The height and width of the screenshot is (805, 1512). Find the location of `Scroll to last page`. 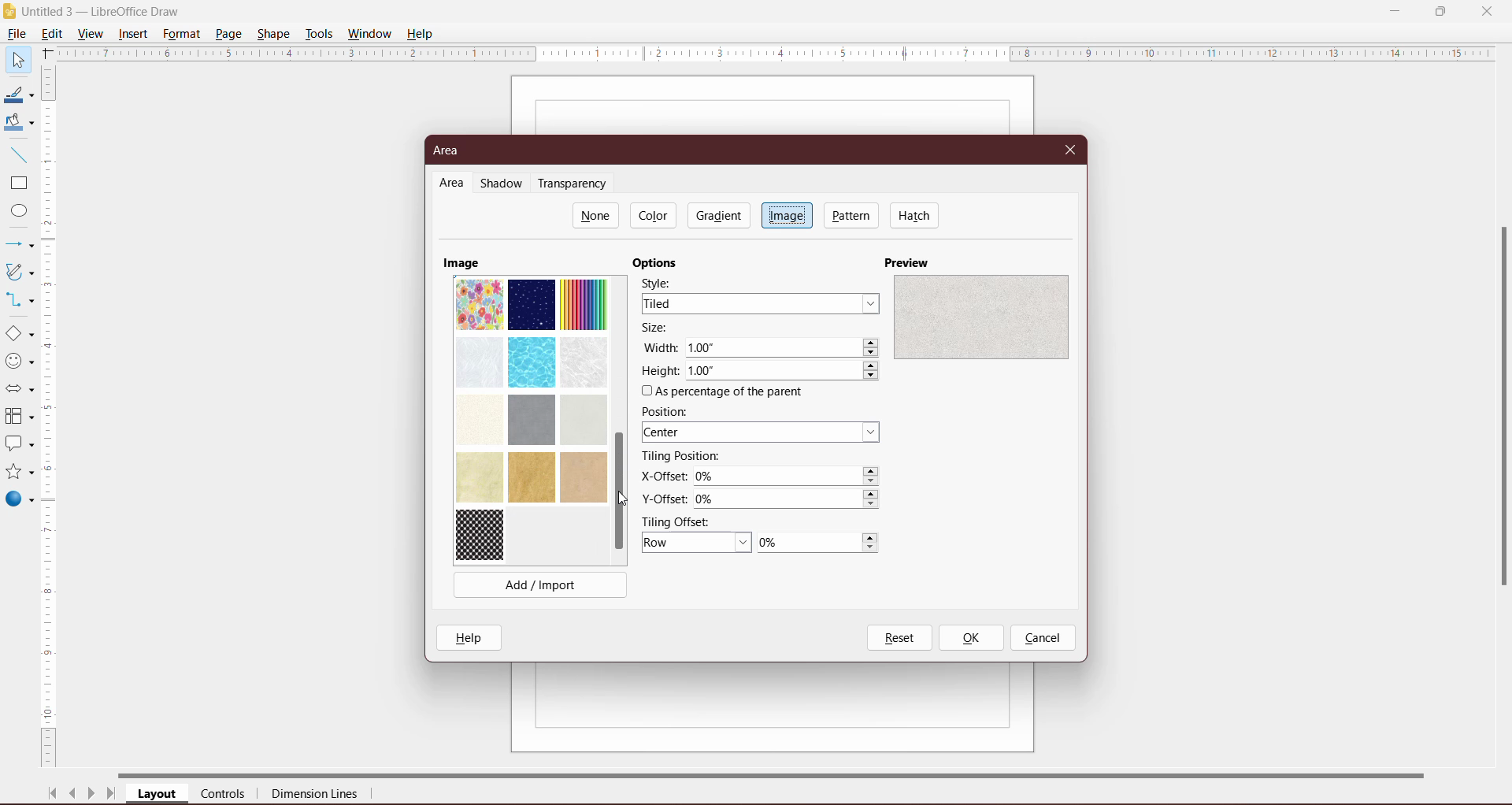

Scroll to last page is located at coordinates (112, 796).